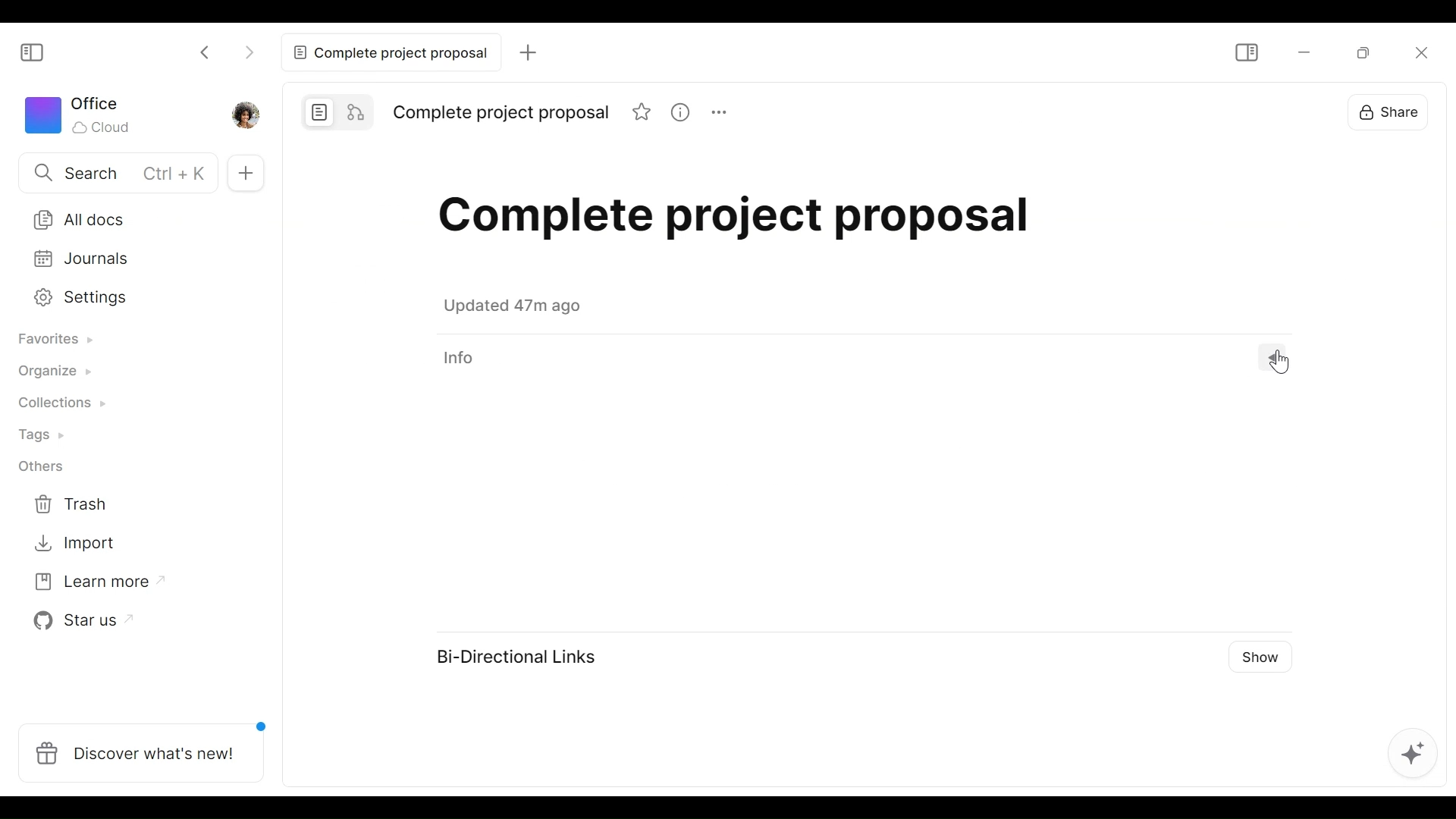 The image size is (1456, 819). I want to click on AFFiNE AI, so click(1409, 751).